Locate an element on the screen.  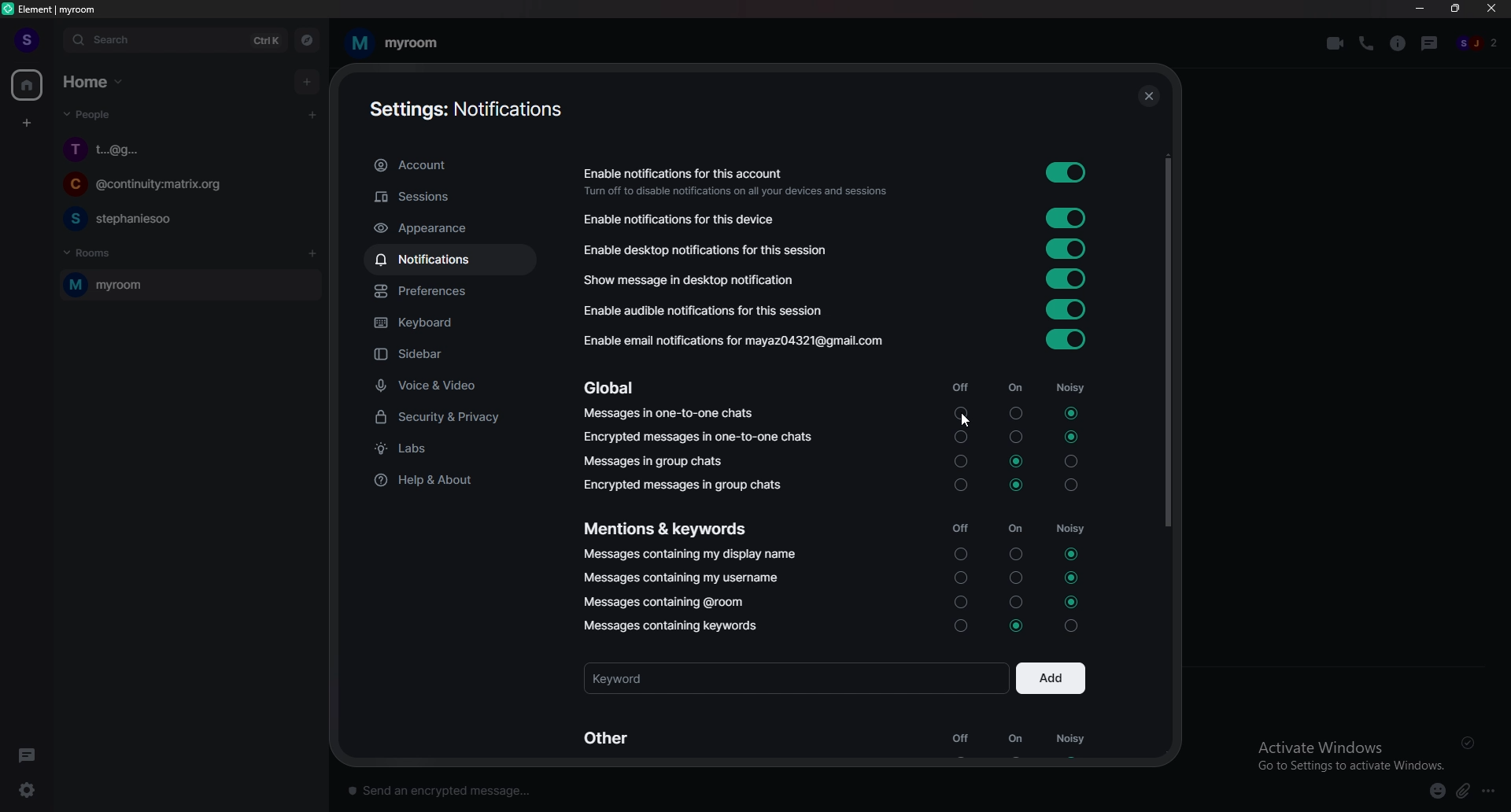
chat is located at coordinates (180, 219).